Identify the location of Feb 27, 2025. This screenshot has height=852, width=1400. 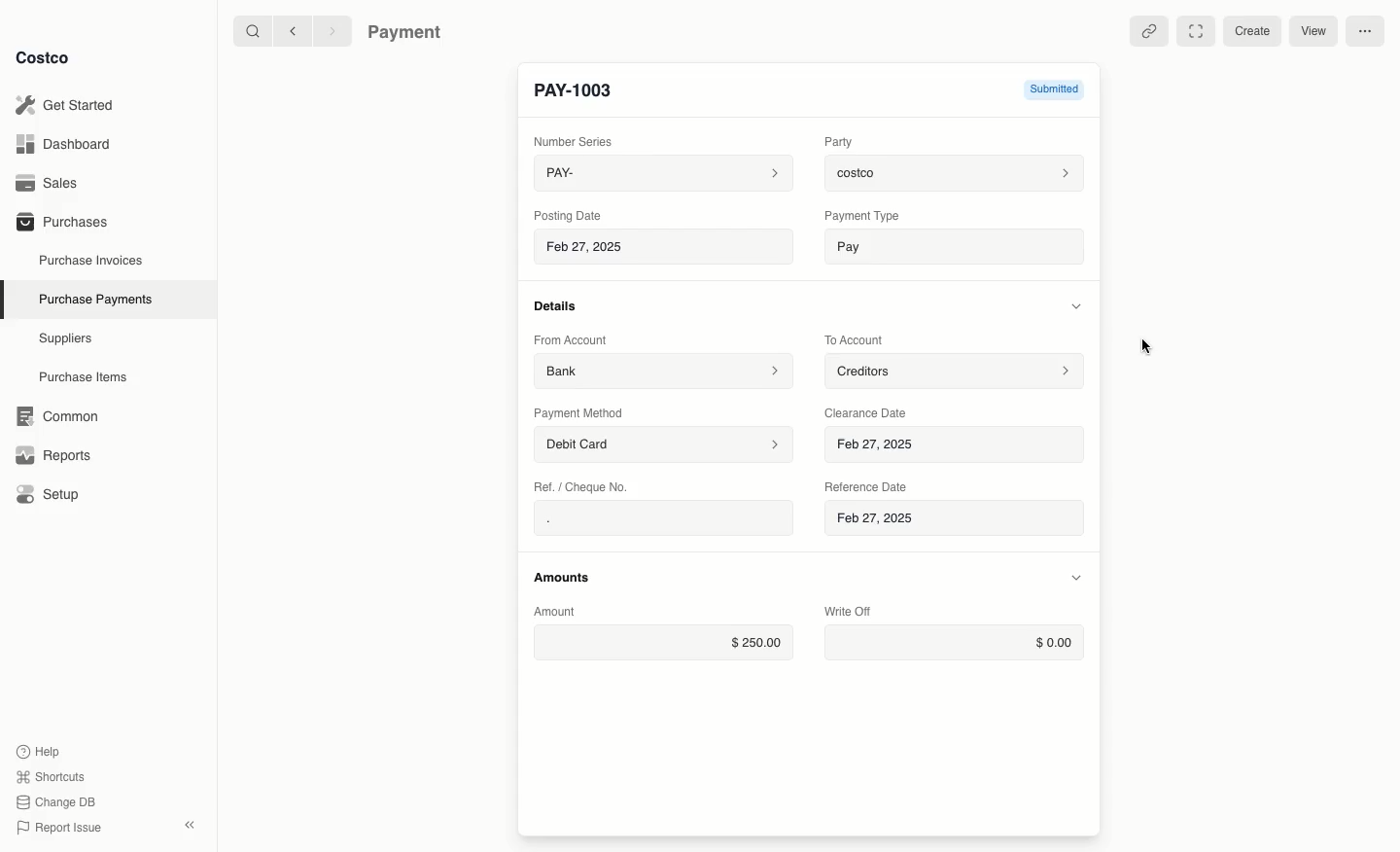
(664, 250).